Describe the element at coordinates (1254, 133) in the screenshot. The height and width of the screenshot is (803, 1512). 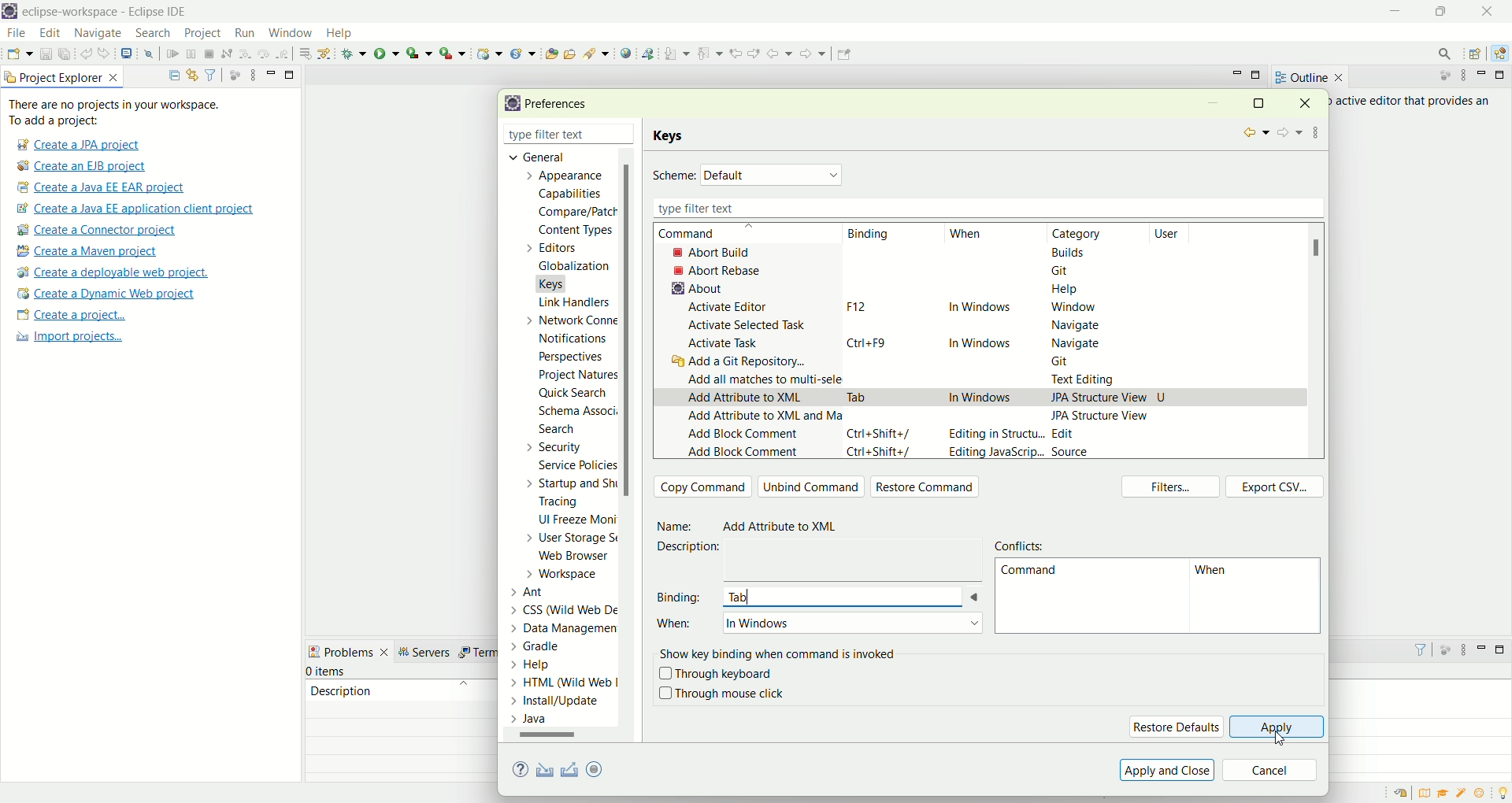
I see `back` at that location.